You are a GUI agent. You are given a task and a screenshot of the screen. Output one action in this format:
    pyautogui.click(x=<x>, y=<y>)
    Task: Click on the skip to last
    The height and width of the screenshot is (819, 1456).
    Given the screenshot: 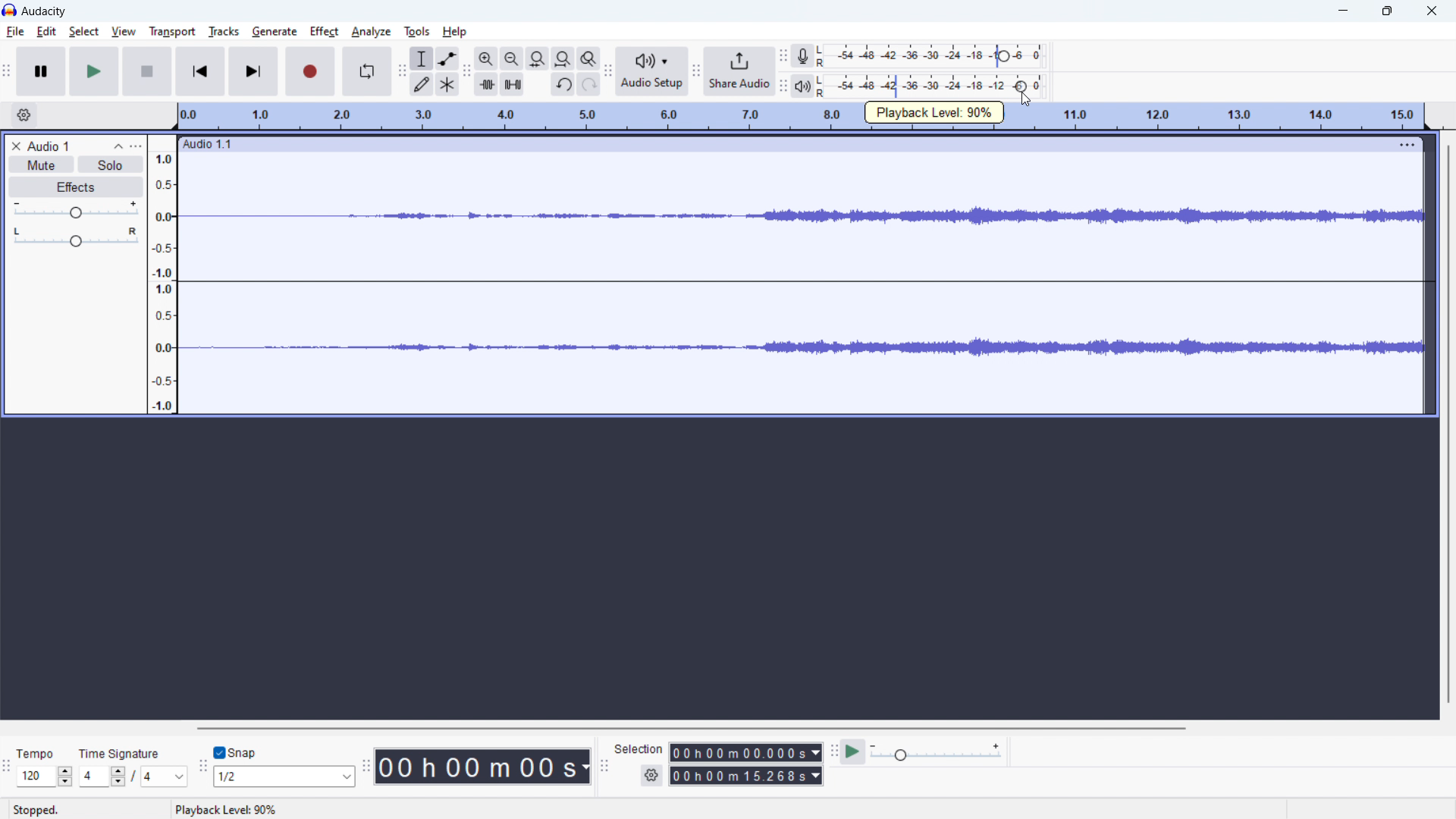 What is the action you would take?
    pyautogui.click(x=253, y=71)
    